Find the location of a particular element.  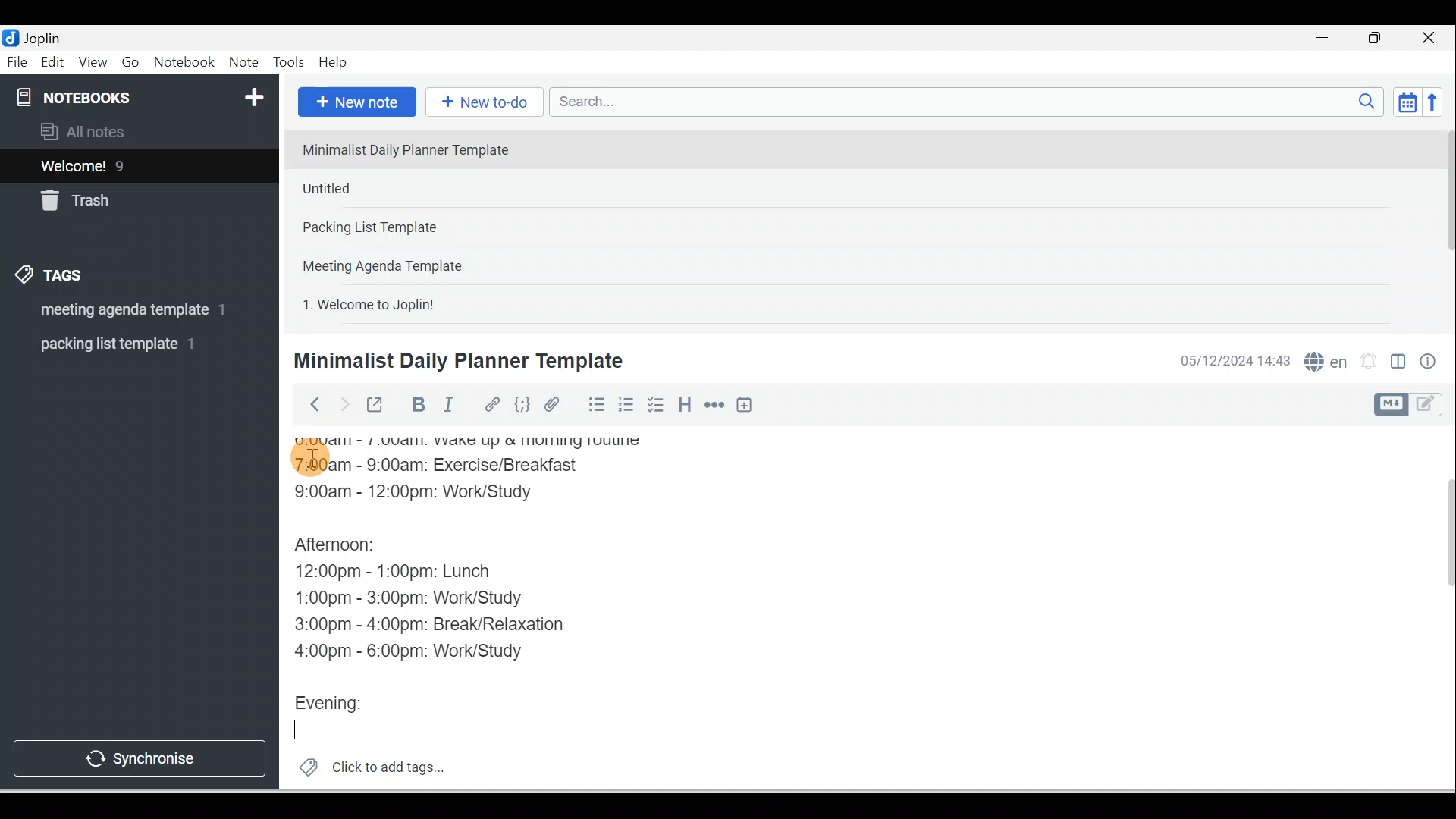

Note 1 is located at coordinates (416, 149).